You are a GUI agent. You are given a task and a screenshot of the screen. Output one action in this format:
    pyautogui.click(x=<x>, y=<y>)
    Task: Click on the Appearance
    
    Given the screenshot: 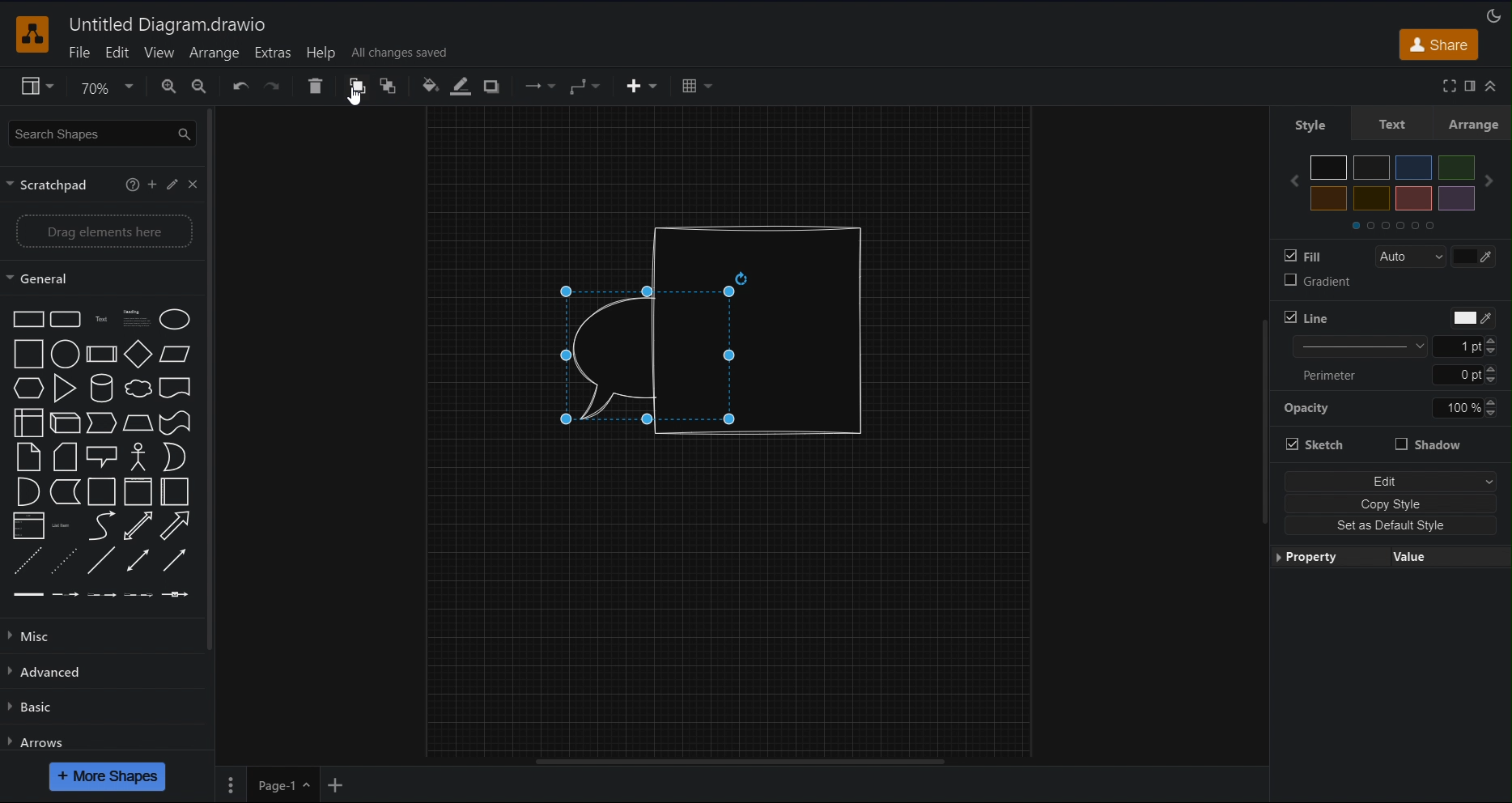 What is the action you would take?
    pyautogui.click(x=1494, y=15)
    